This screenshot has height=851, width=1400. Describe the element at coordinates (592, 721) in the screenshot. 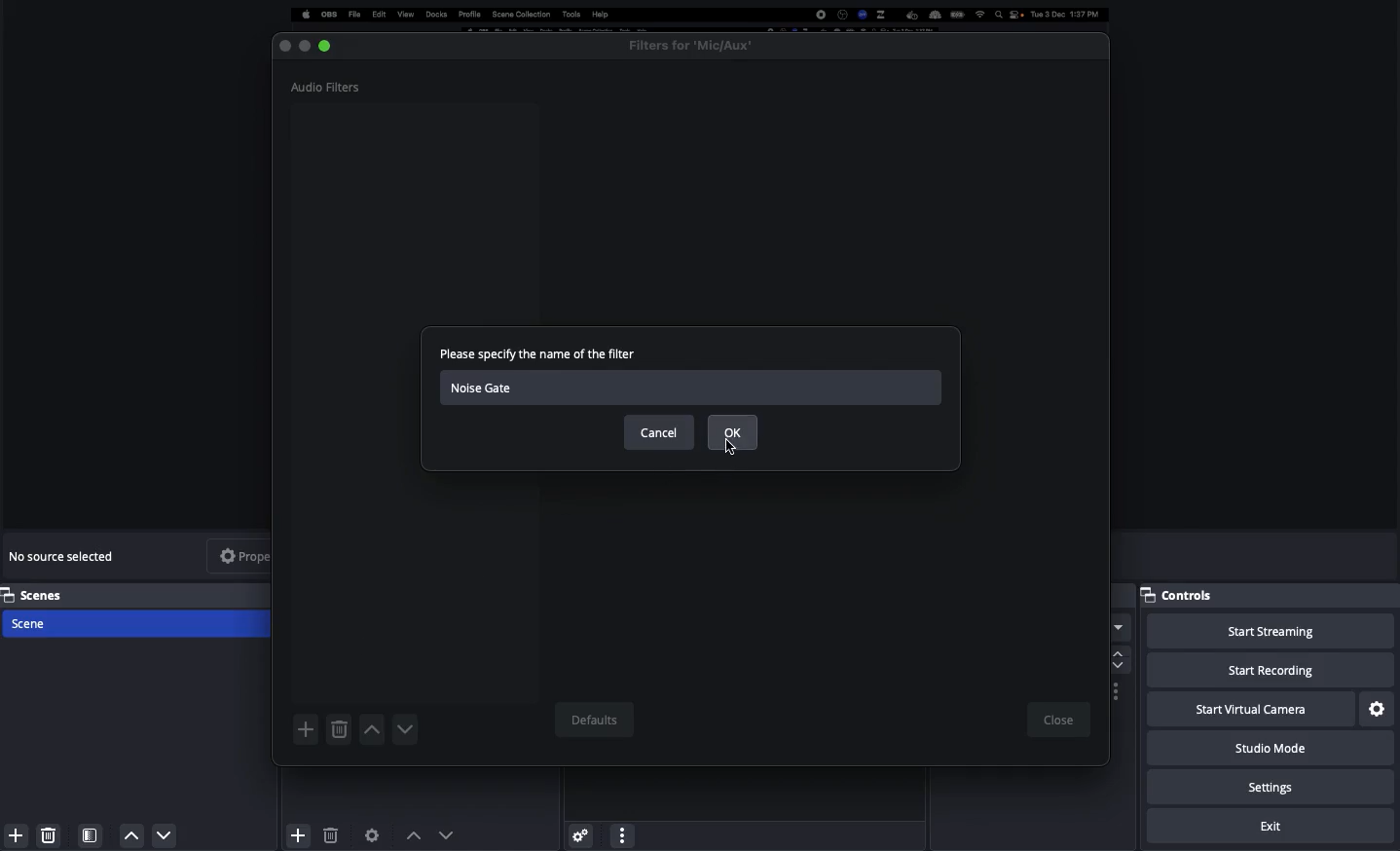

I see `Defaults` at that location.